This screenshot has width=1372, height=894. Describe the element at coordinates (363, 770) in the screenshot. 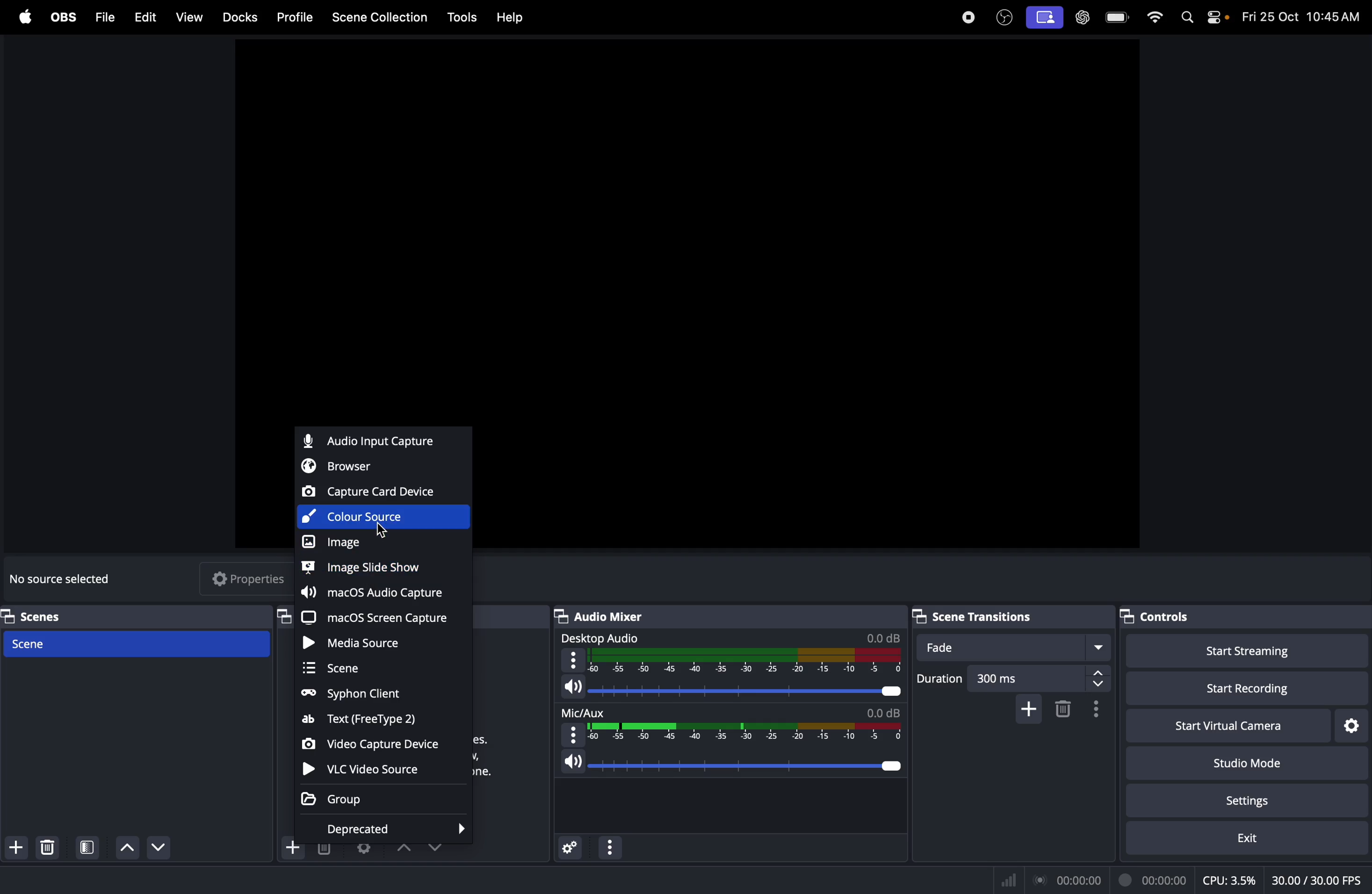

I see `vlc video souce` at that location.